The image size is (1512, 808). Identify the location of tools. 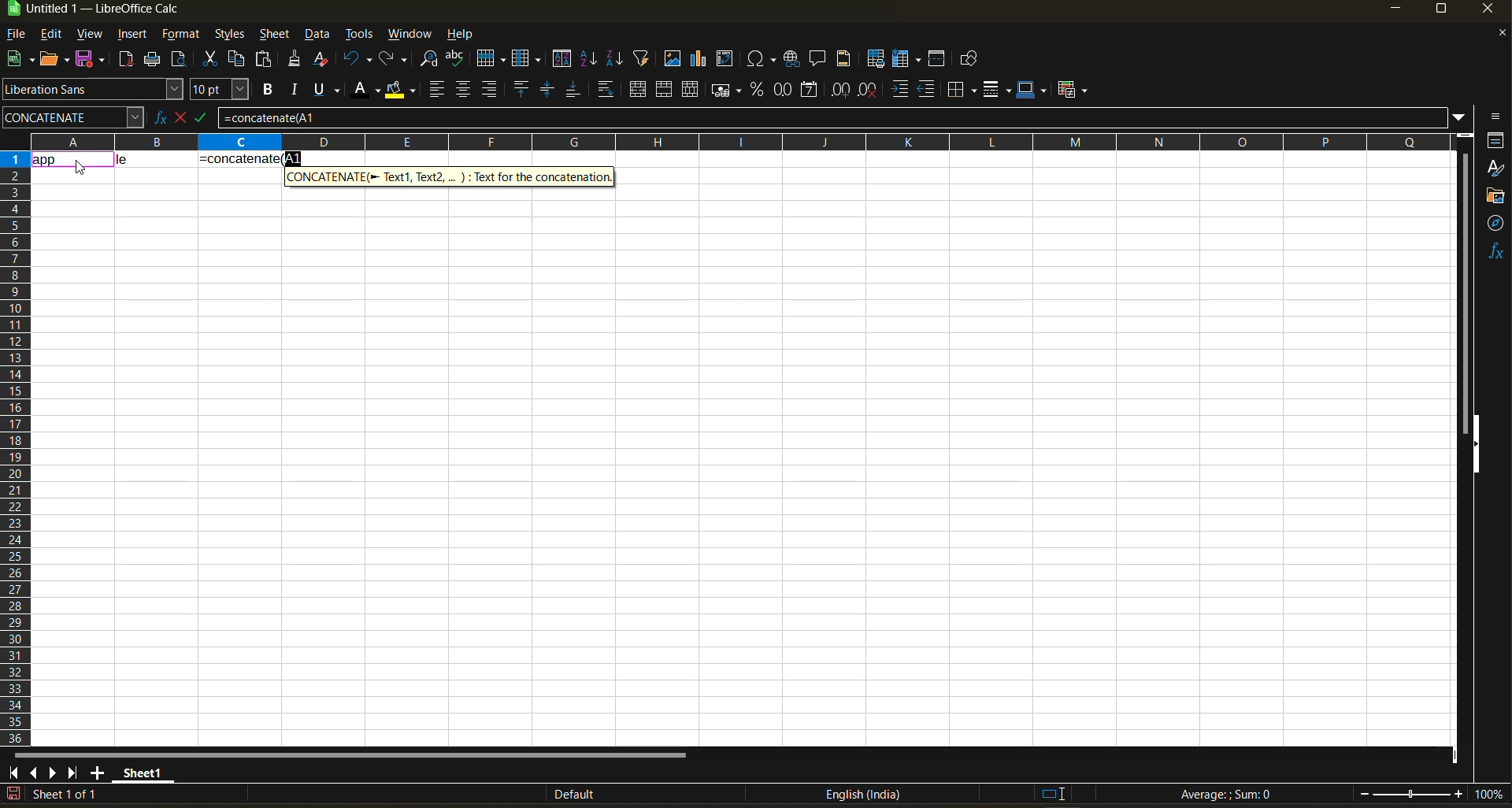
(359, 36).